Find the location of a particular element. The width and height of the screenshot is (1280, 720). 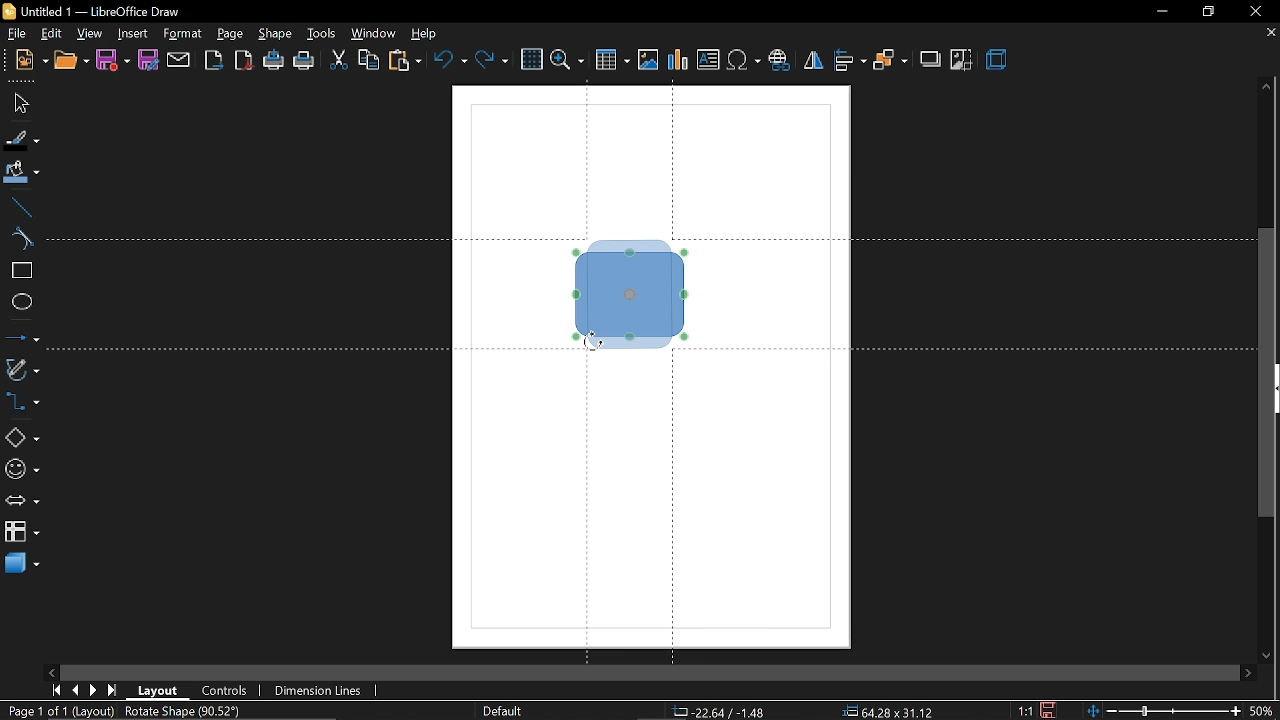

curve is located at coordinates (20, 239).